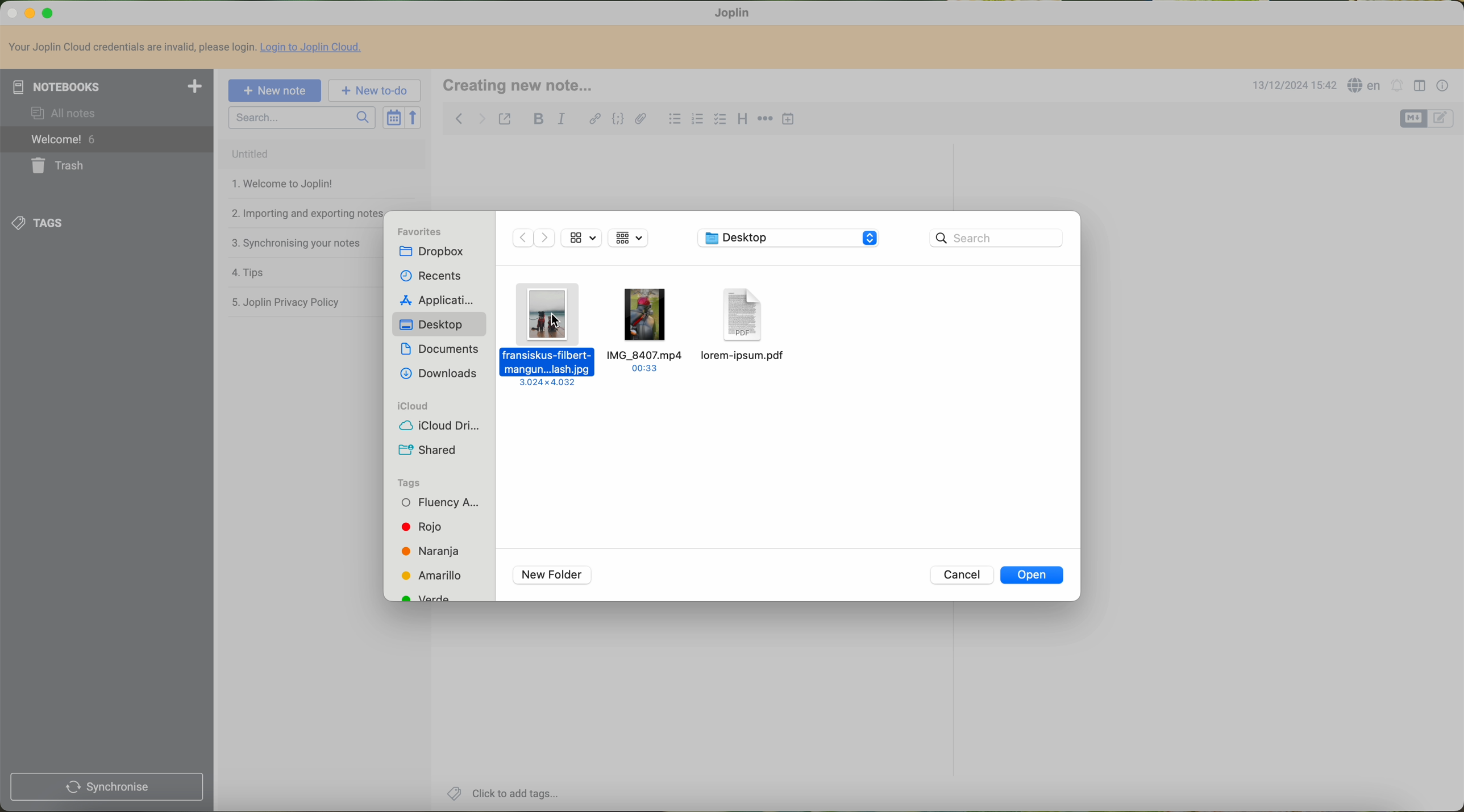 The height and width of the screenshot is (812, 1464). I want to click on pdf file, so click(744, 325).